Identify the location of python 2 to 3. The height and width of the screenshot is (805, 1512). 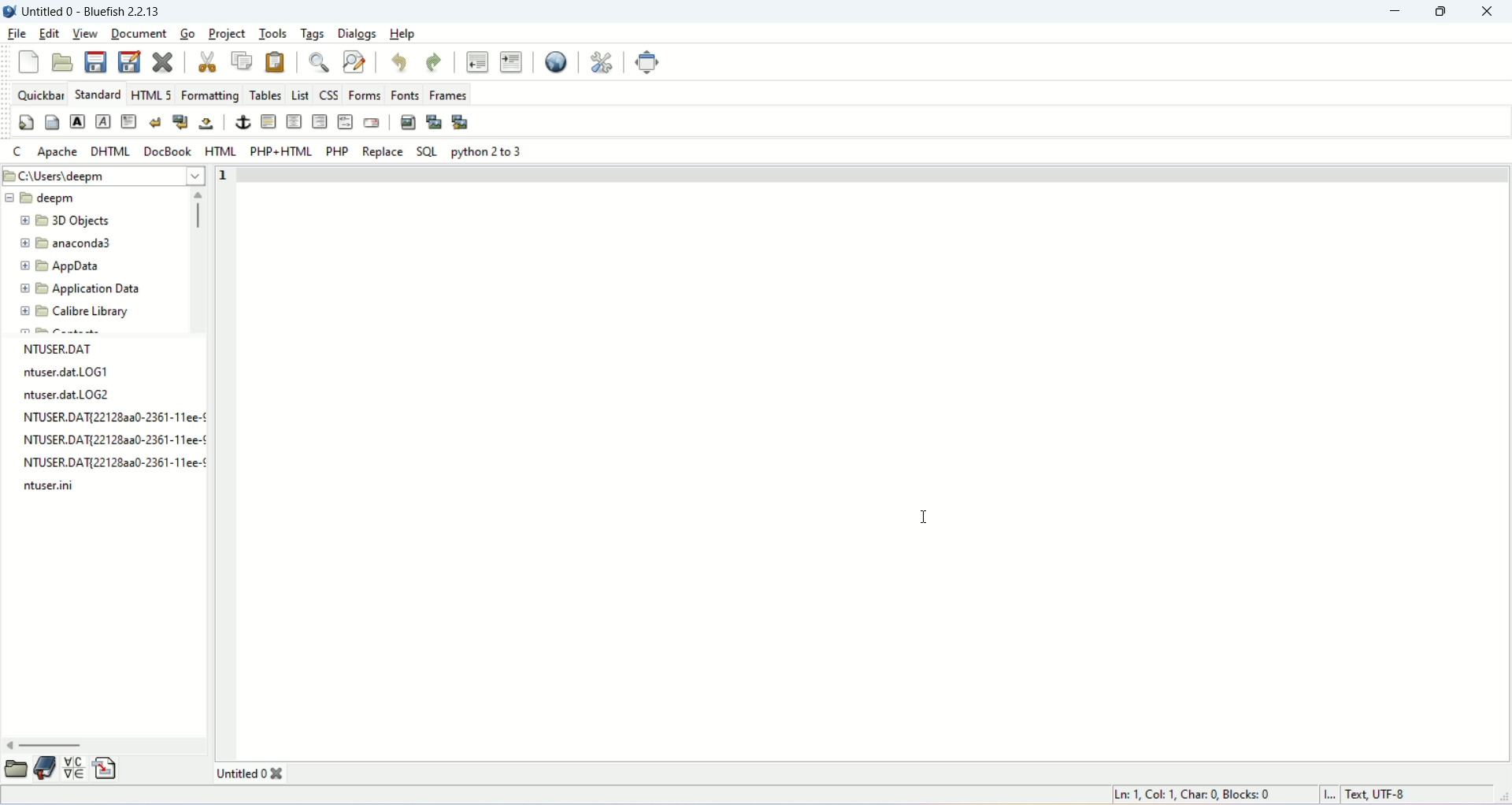
(491, 153).